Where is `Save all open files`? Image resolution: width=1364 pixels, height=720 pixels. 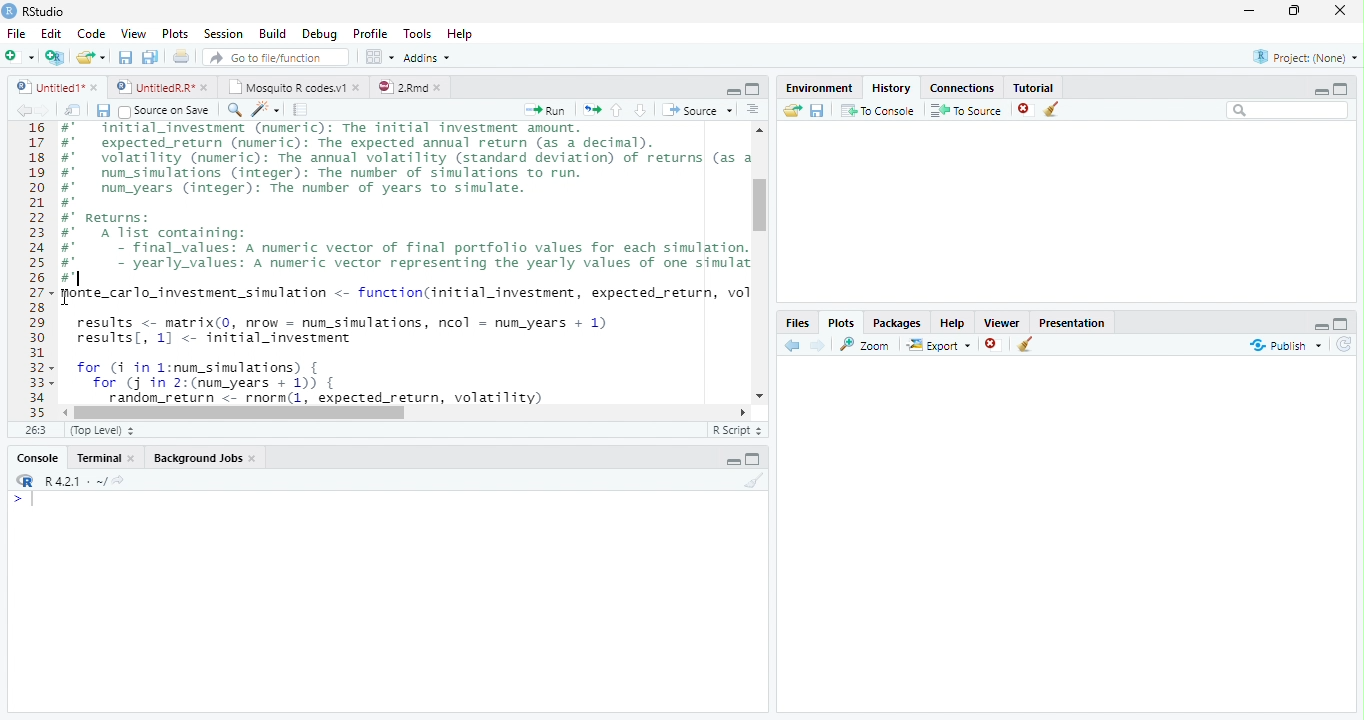
Save all open files is located at coordinates (149, 57).